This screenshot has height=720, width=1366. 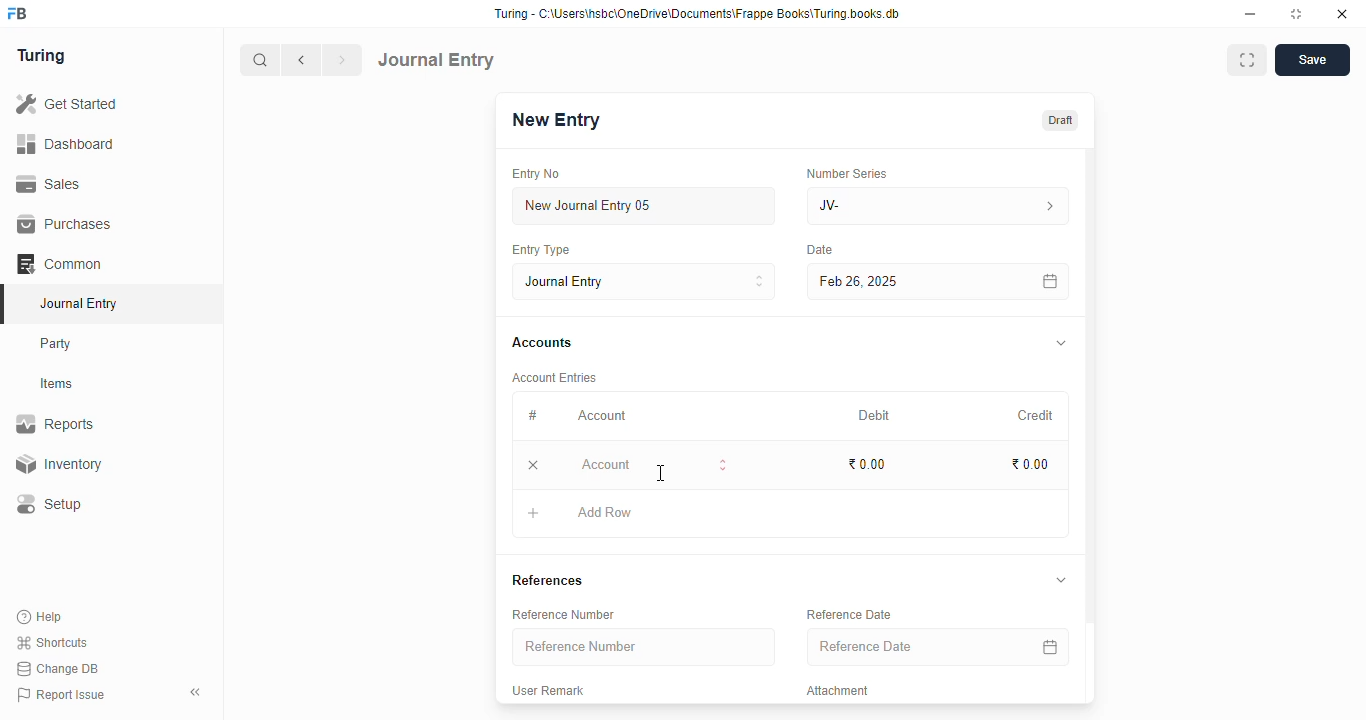 I want to click on shortcuts, so click(x=52, y=643).